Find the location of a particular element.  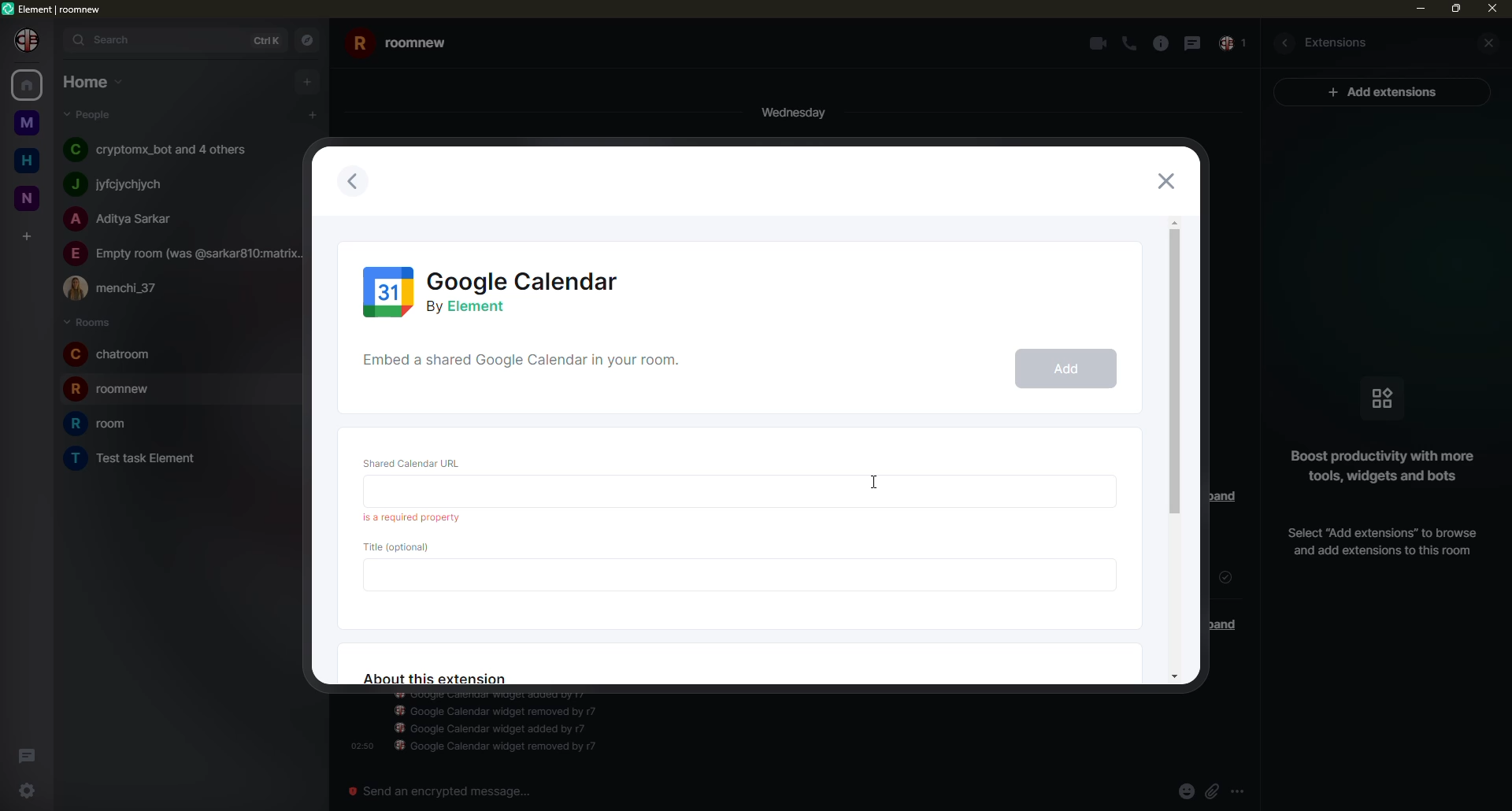

extesions is located at coordinates (1339, 43).